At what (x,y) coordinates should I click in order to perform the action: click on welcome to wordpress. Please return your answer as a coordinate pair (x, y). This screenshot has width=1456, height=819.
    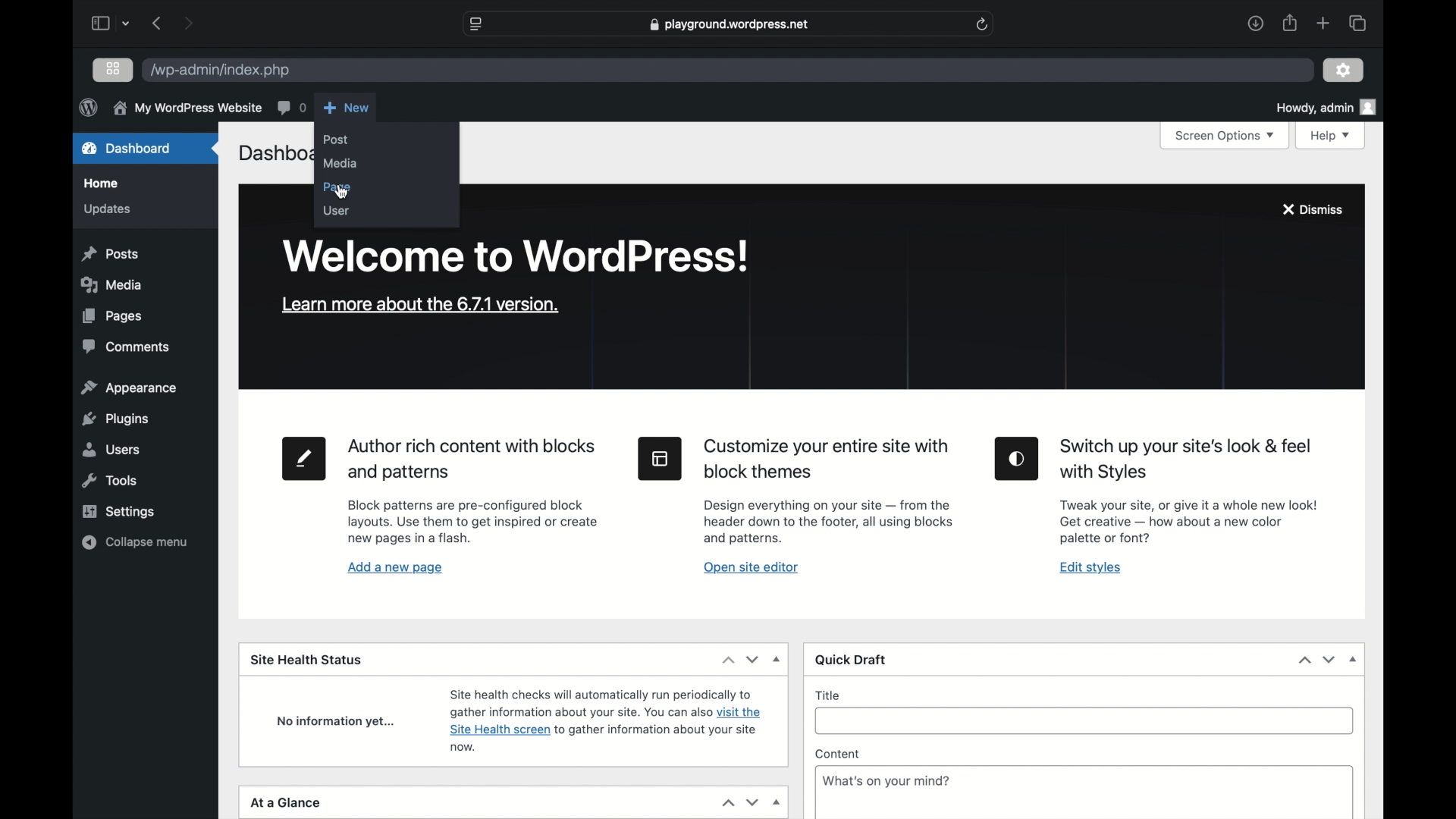
    Looking at the image, I should click on (515, 256).